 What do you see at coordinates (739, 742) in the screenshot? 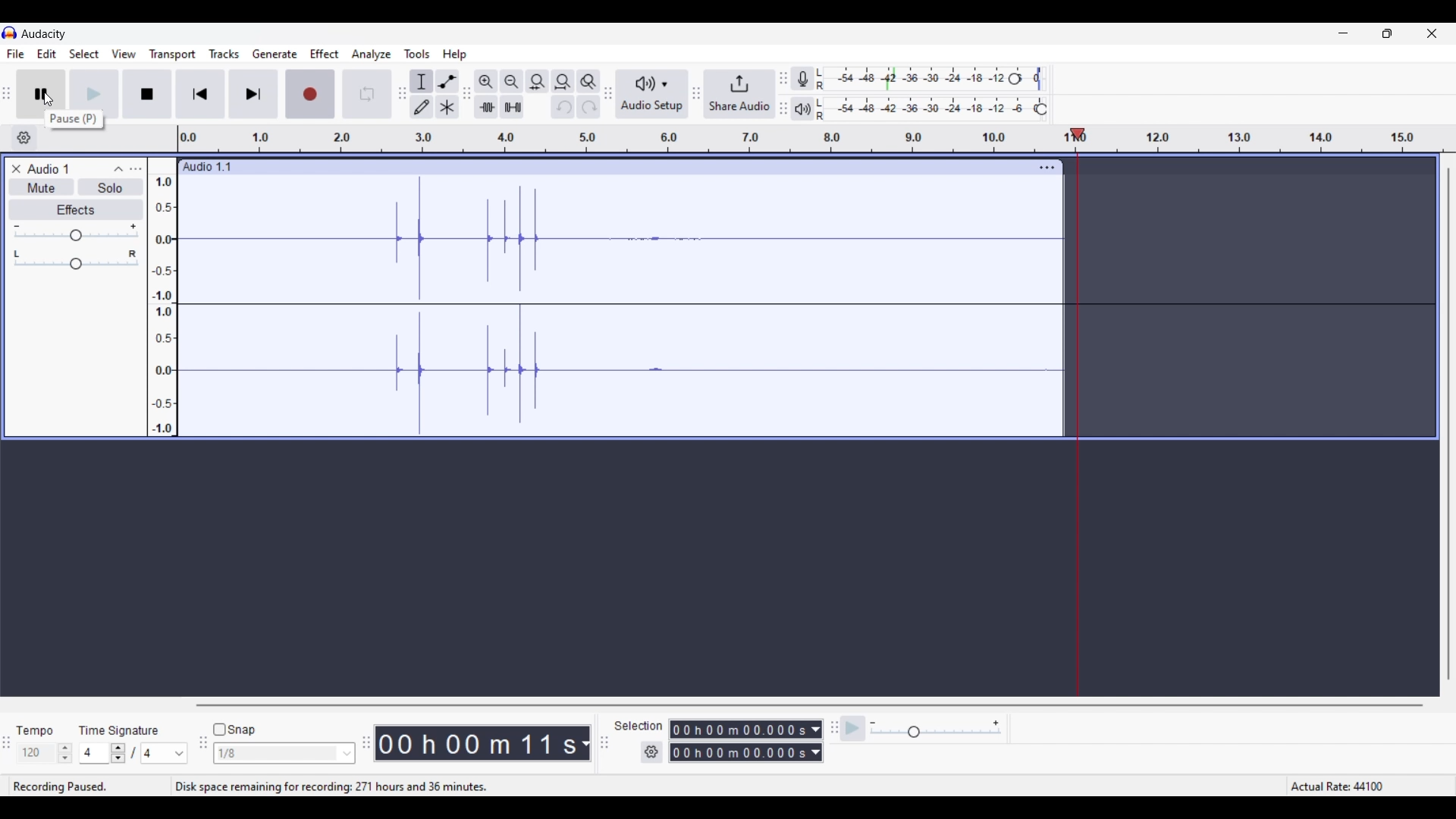
I see `Selection duration` at bounding box center [739, 742].